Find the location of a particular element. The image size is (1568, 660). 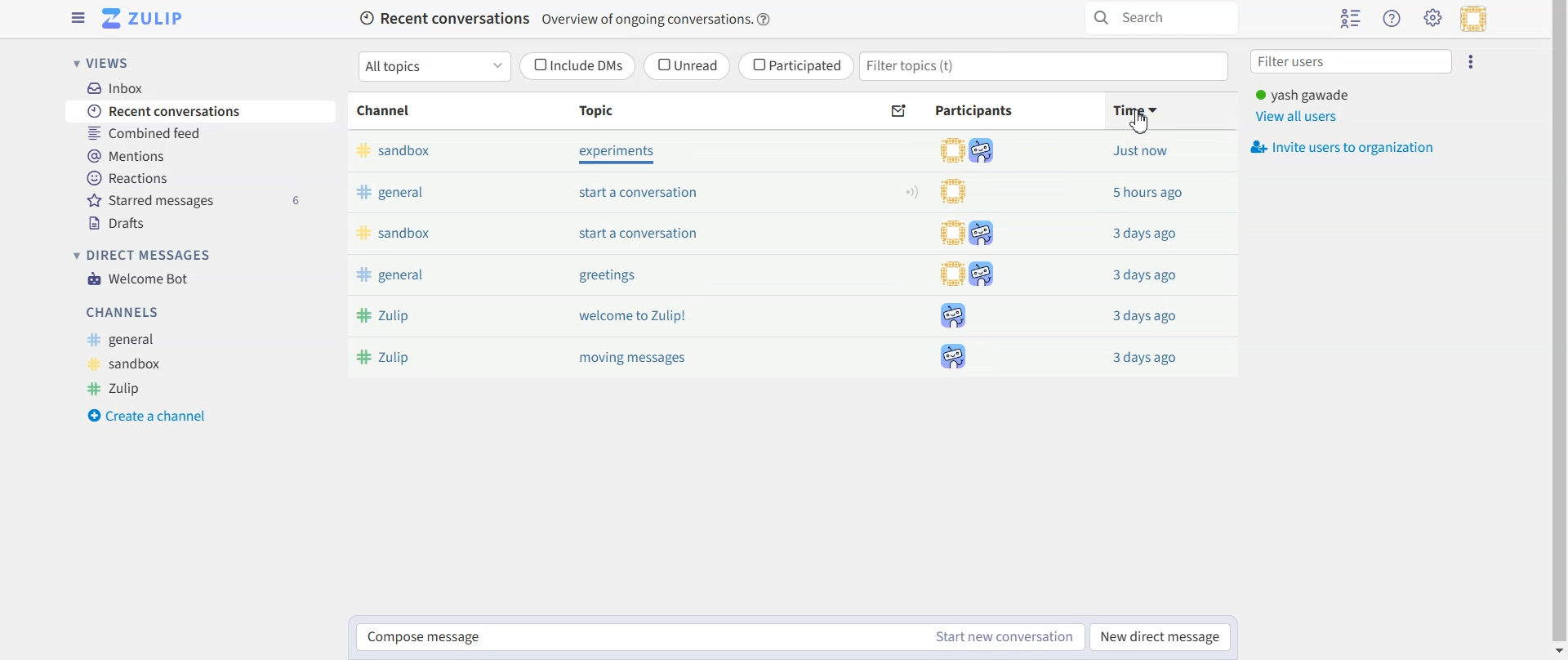

Recent conversations Overview of ongoing conversations. is located at coordinates (555, 20).